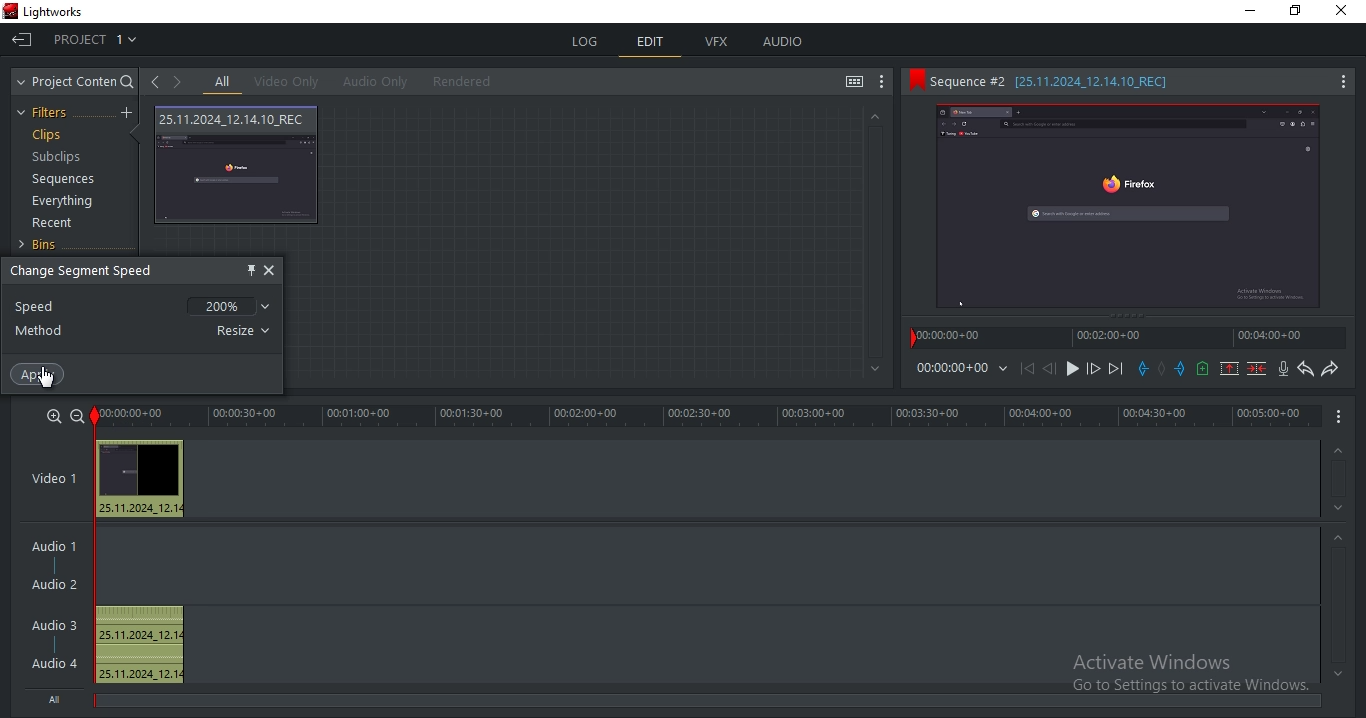 The image size is (1366, 718). Describe the element at coordinates (247, 269) in the screenshot. I see `pin this object here` at that location.